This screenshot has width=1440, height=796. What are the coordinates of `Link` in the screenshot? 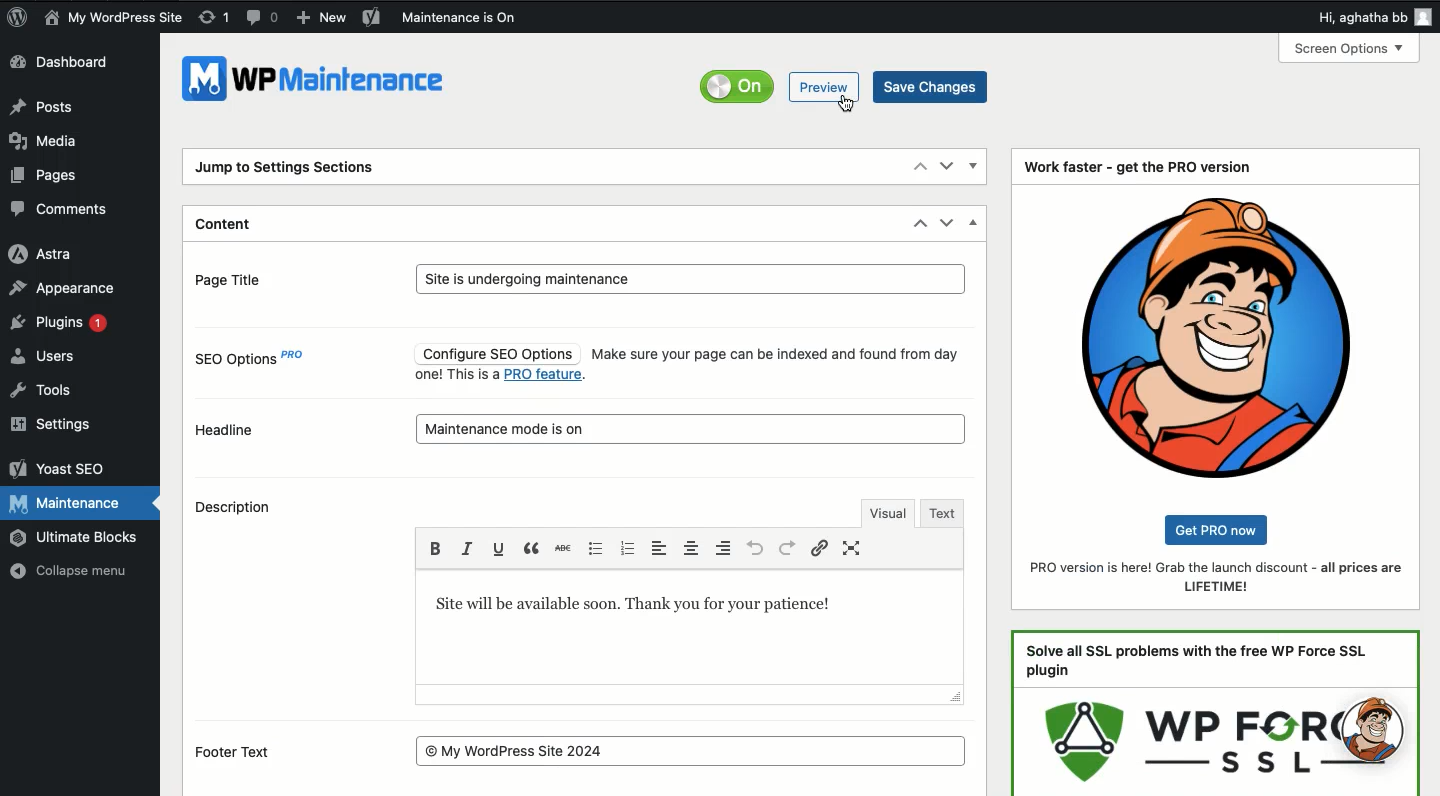 It's located at (822, 548).